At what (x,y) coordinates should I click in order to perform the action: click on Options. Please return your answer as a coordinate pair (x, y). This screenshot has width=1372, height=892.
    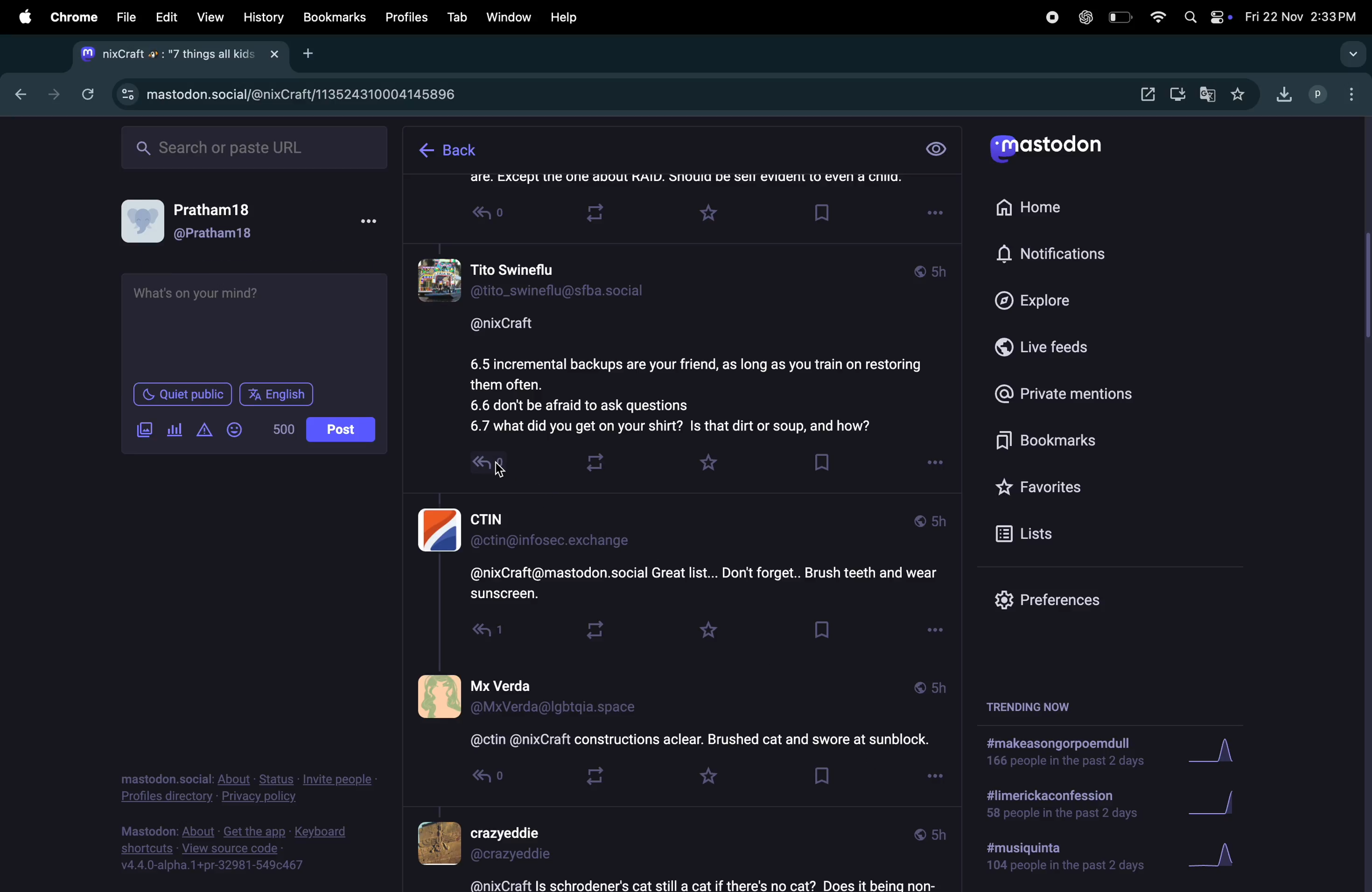
    Looking at the image, I should click on (930, 630).